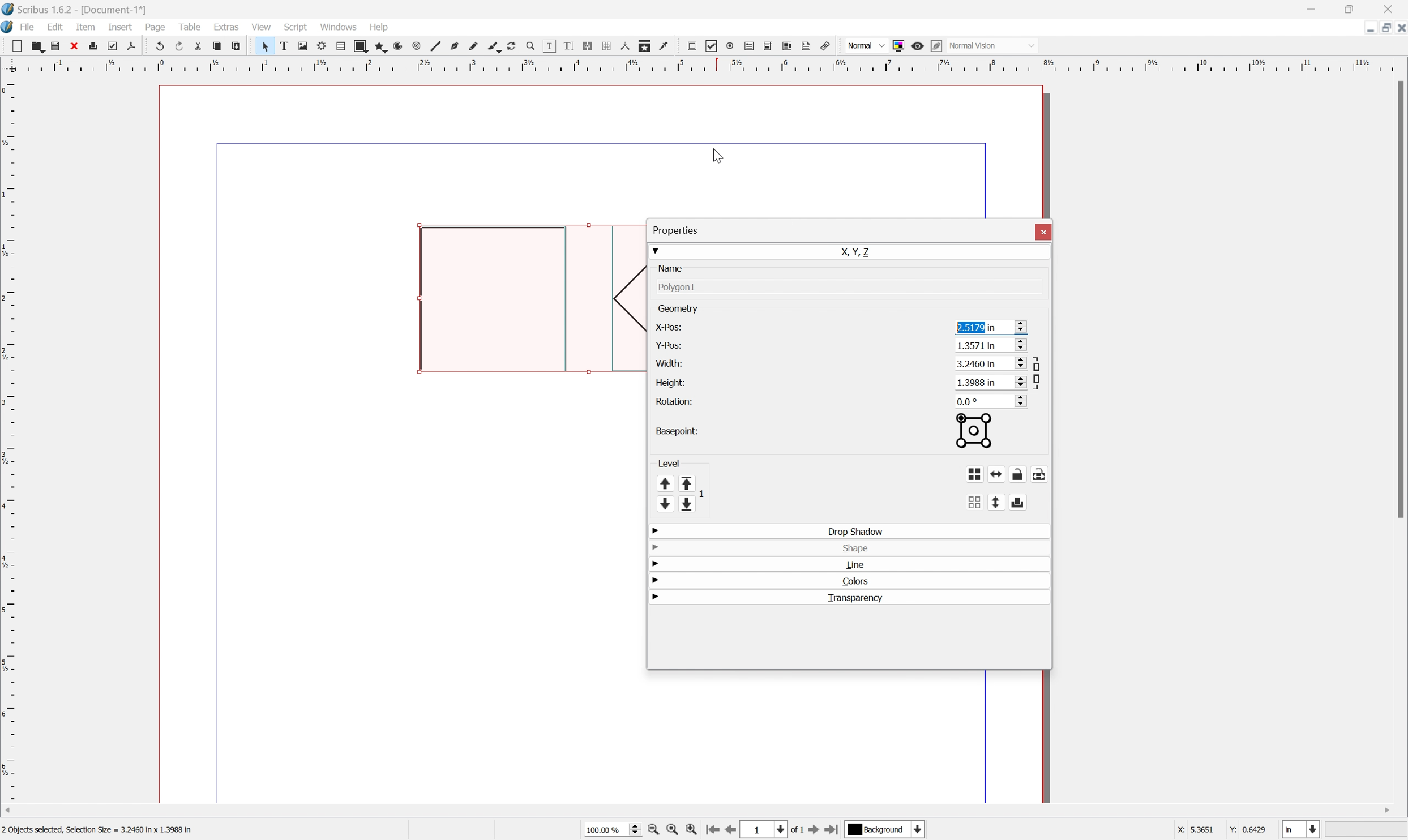 The height and width of the screenshot is (840, 1408). What do you see at coordinates (110, 42) in the screenshot?
I see `preflight verifier` at bounding box center [110, 42].